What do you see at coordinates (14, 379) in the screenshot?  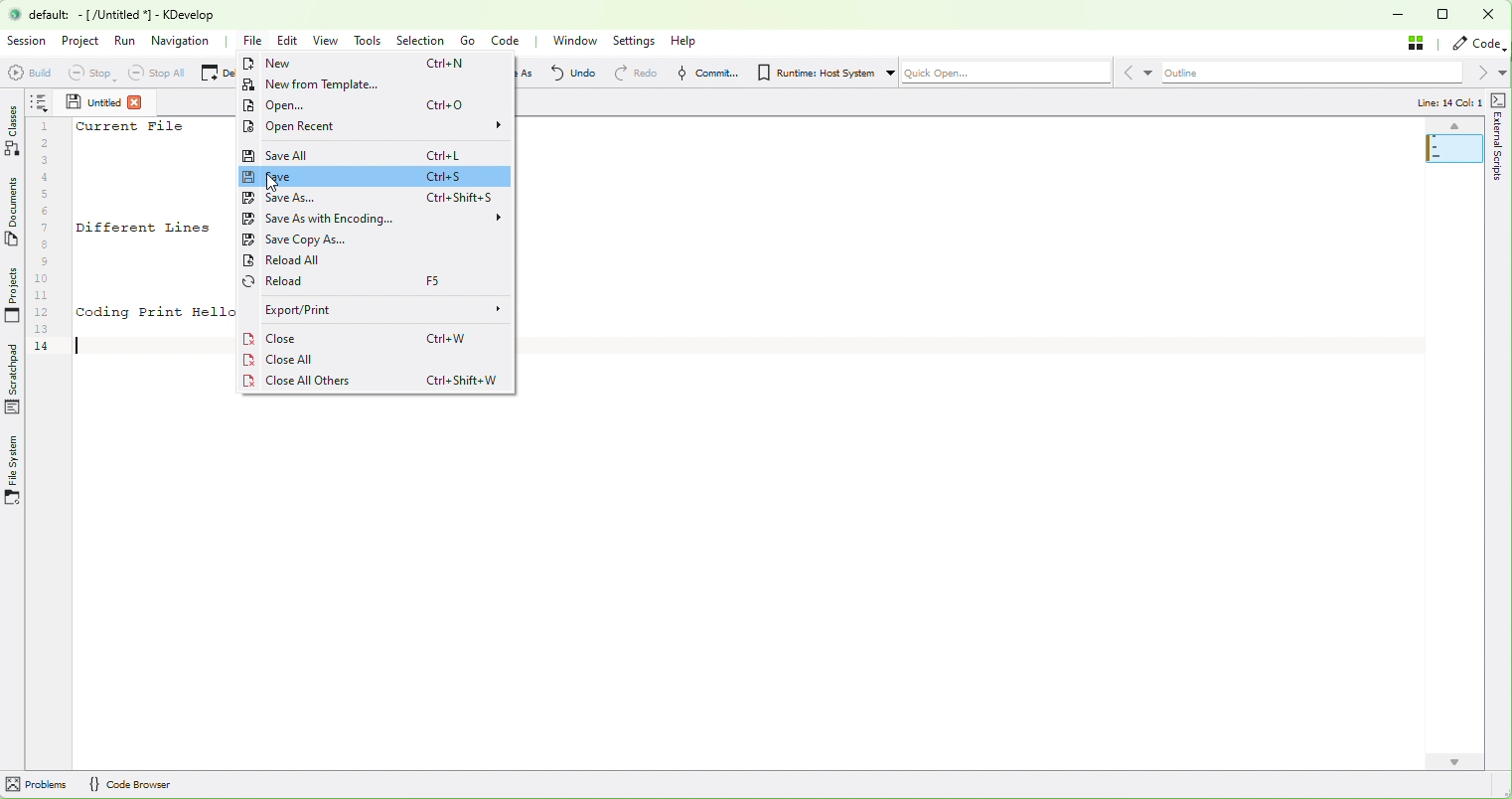 I see `Scratchpad` at bounding box center [14, 379].